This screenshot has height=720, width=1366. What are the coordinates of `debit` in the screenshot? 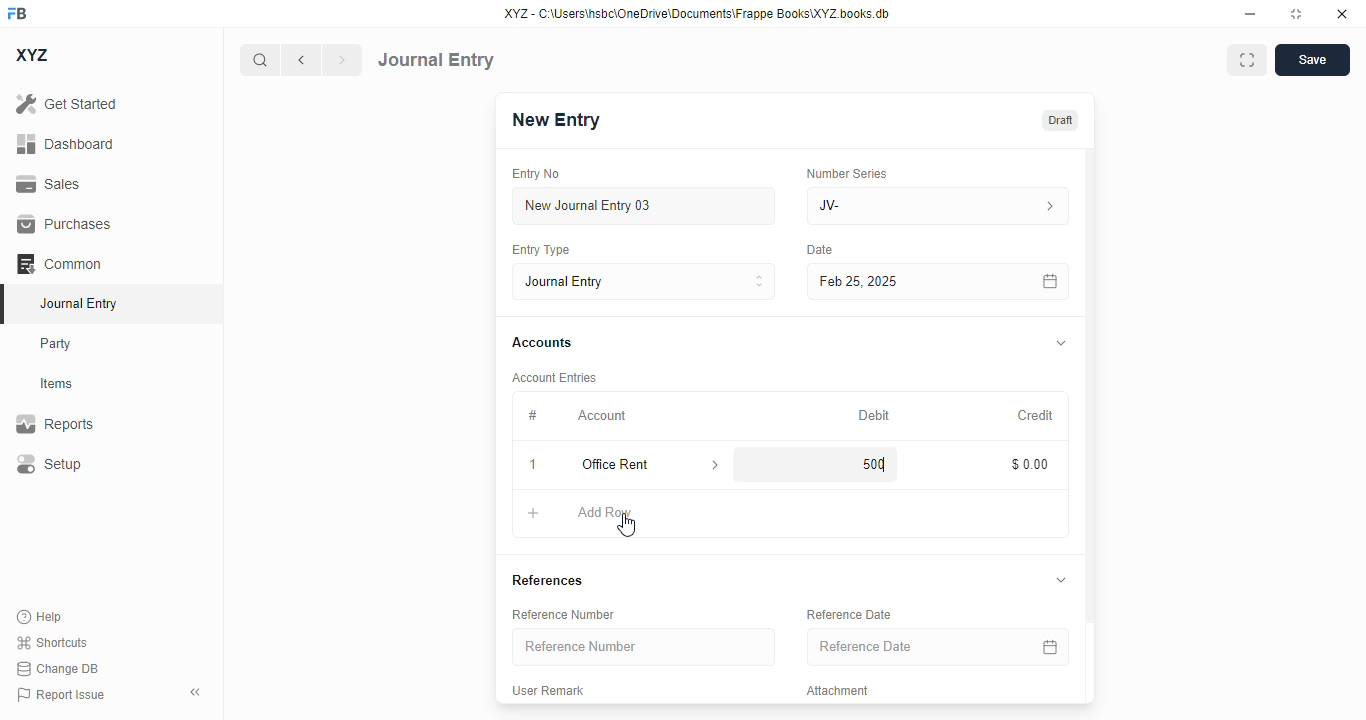 It's located at (875, 417).